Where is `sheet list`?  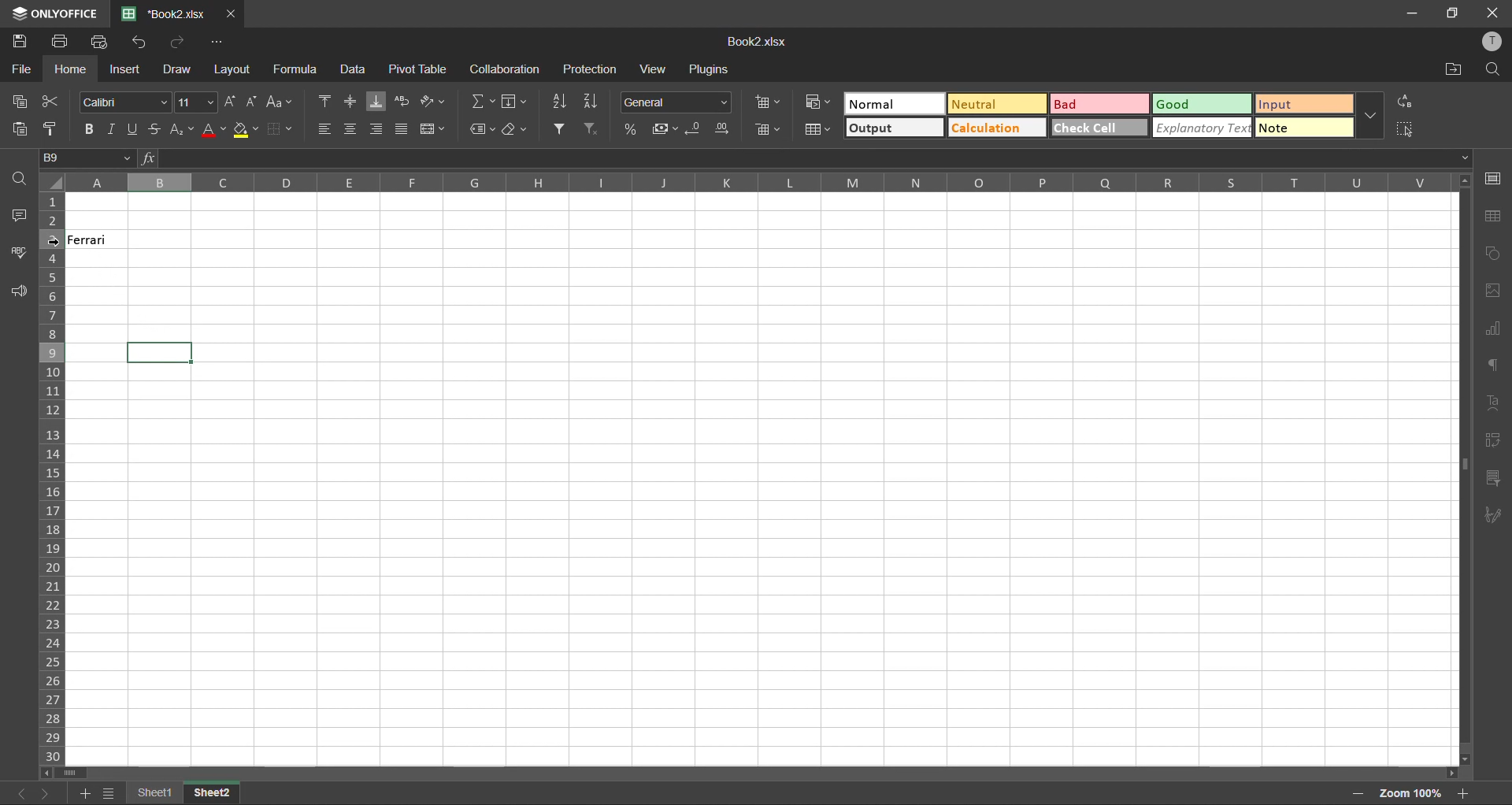 sheet list is located at coordinates (110, 793).